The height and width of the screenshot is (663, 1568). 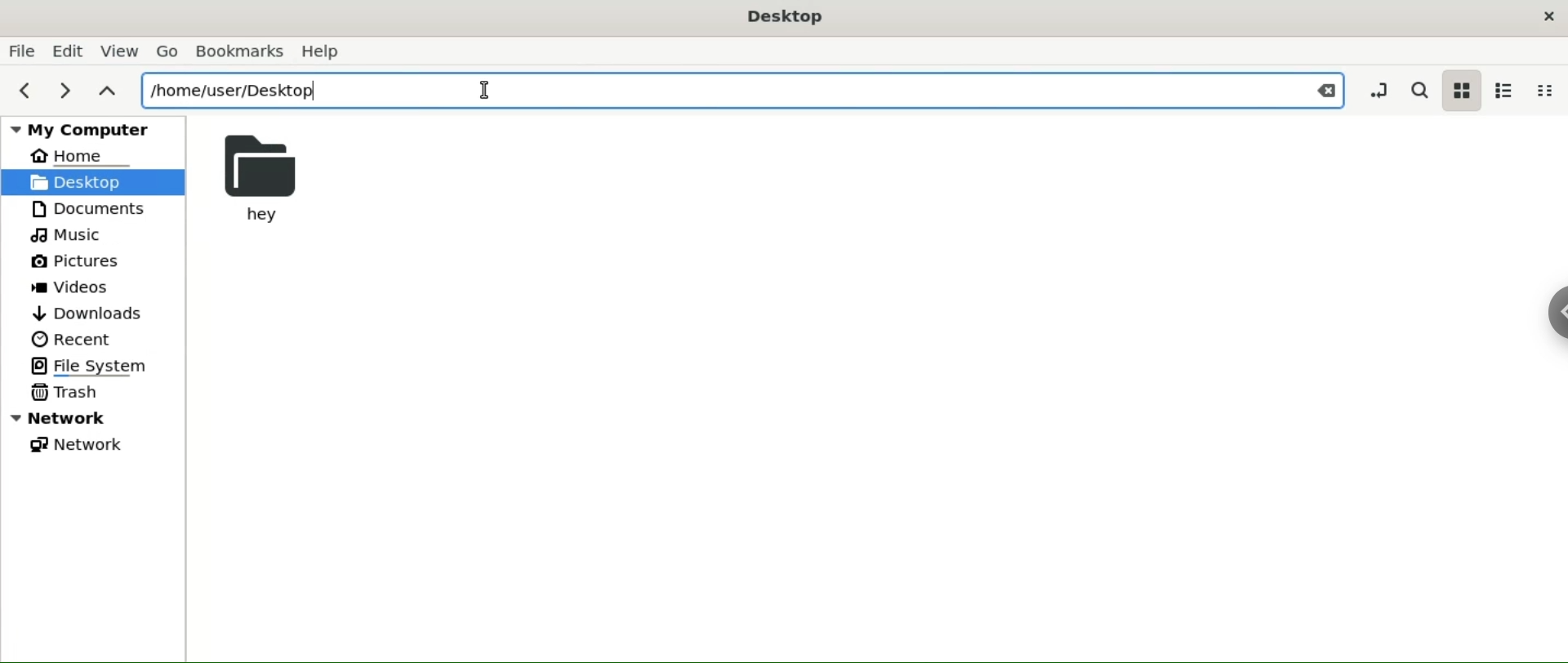 What do you see at coordinates (1463, 90) in the screenshot?
I see `icon view` at bounding box center [1463, 90].